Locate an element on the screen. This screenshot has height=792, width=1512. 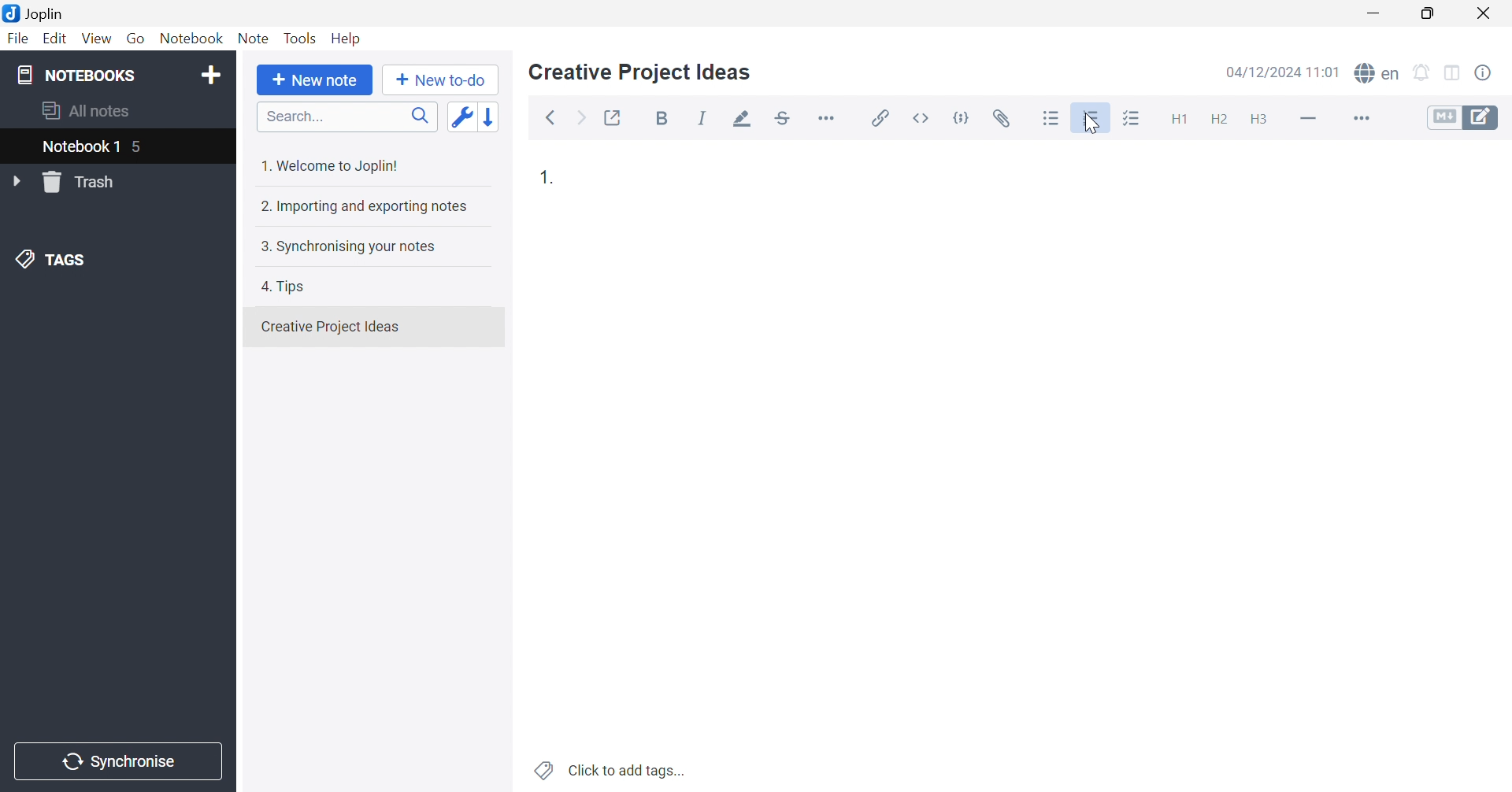
Notebook is located at coordinates (195, 41).